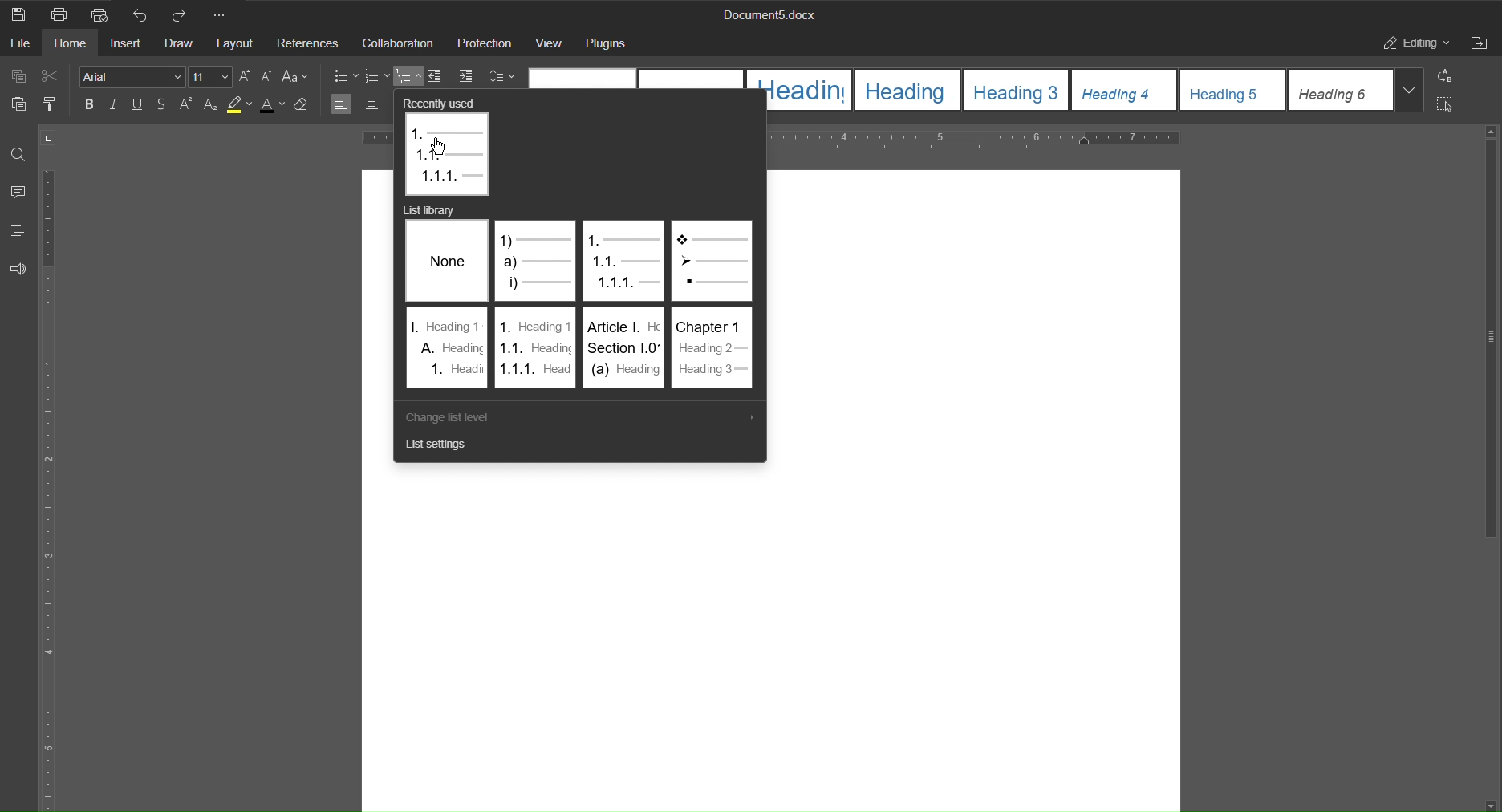 The image size is (1502, 812). What do you see at coordinates (440, 147) in the screenshot?
I see `cursor` at bounding box center [440, 147].